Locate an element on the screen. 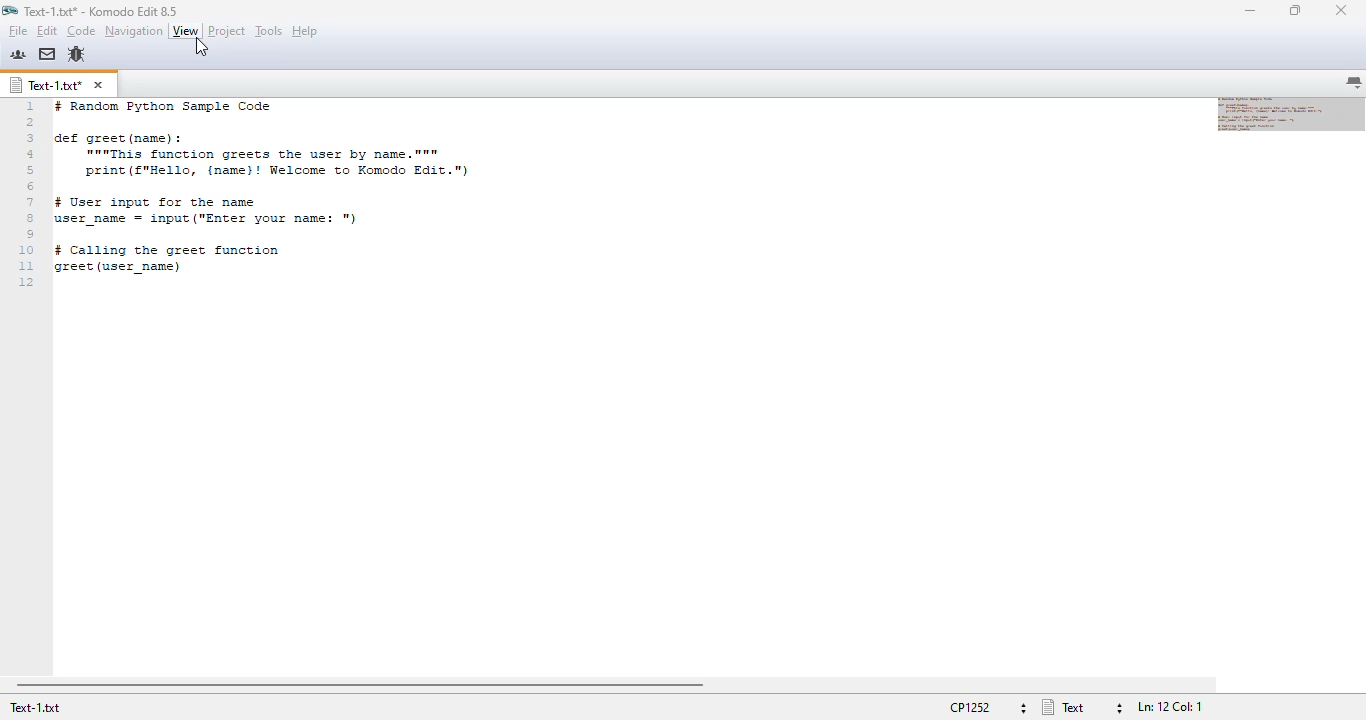 This screenshot has width=1366, height=720. tools is located at coordinates (269, 30).